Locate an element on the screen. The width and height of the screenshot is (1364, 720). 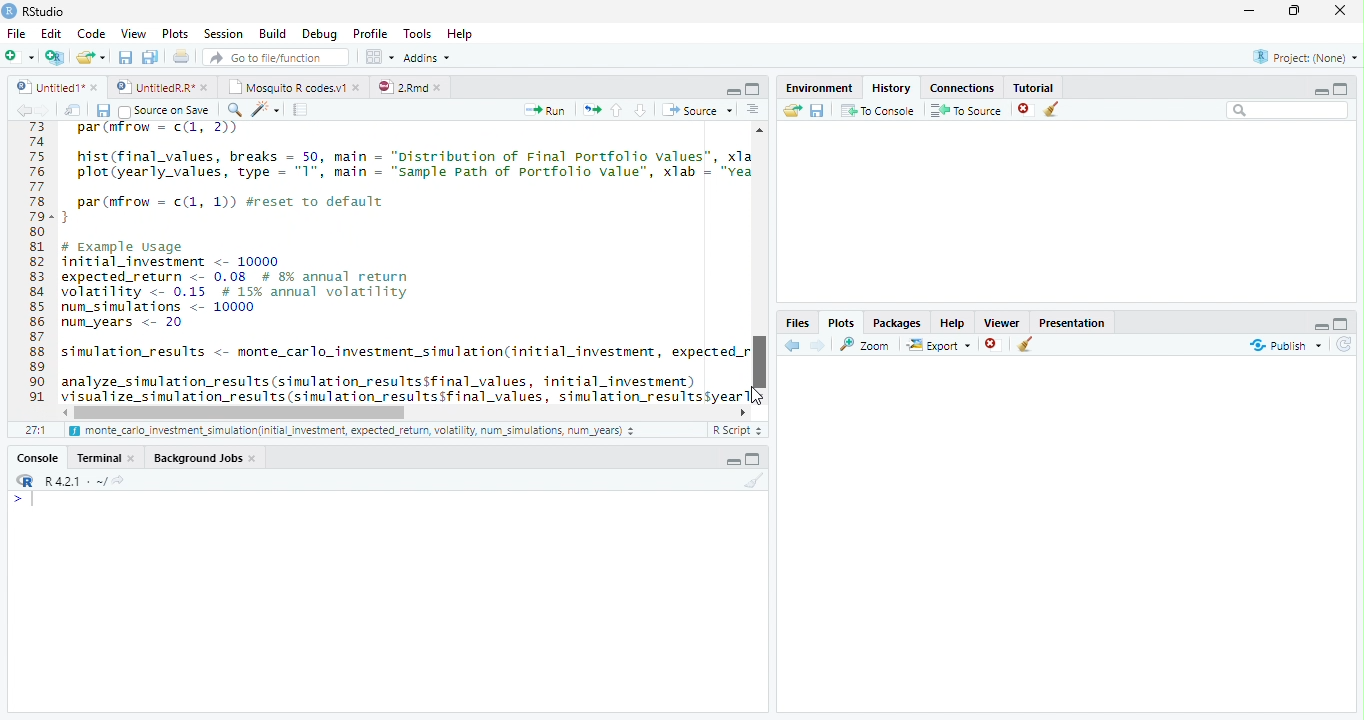
Compile Report is located at coordinates (303, 110).